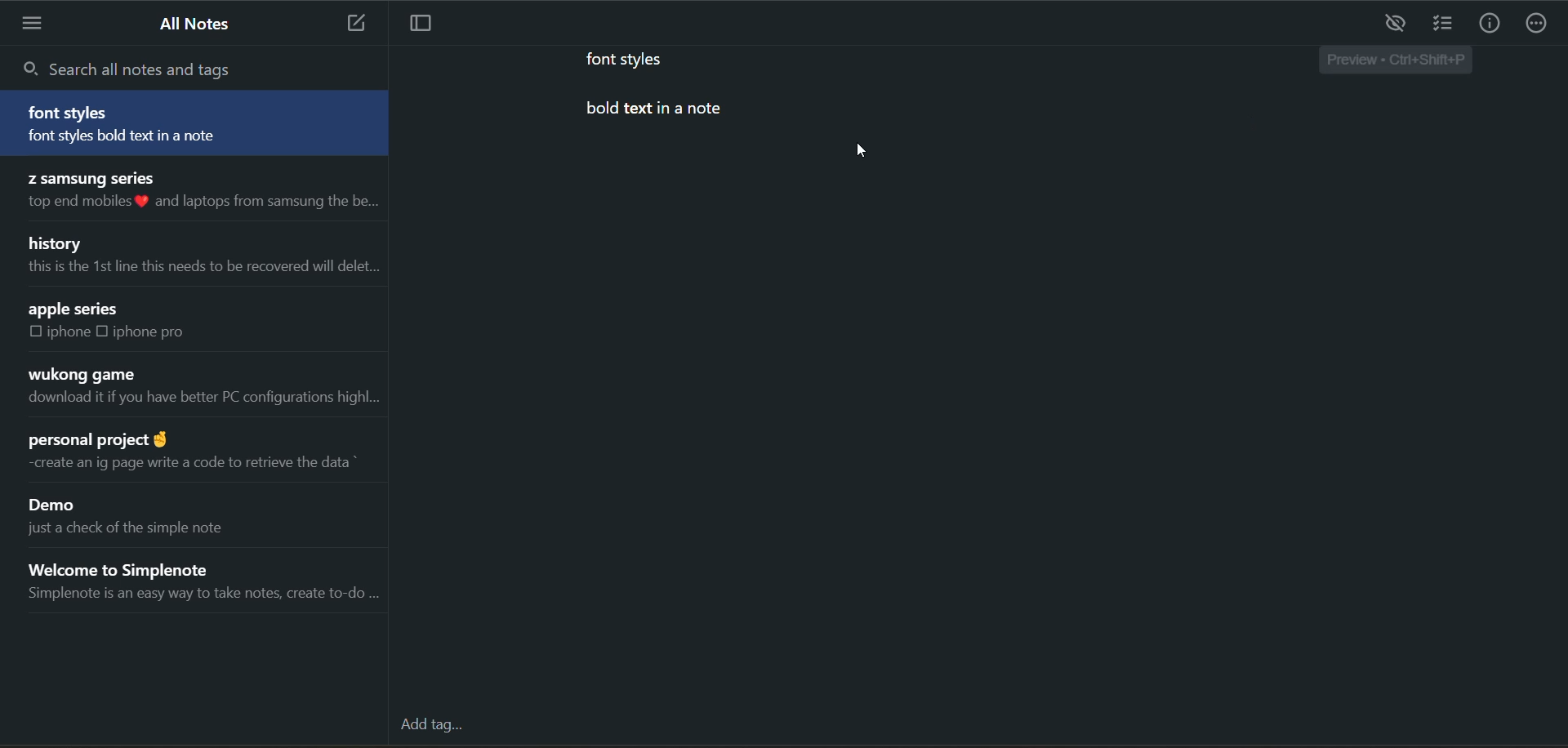  What do you see at coordinates (198, 24) in the screenshot?
I see `all notes` at bounding box center [198, 24].